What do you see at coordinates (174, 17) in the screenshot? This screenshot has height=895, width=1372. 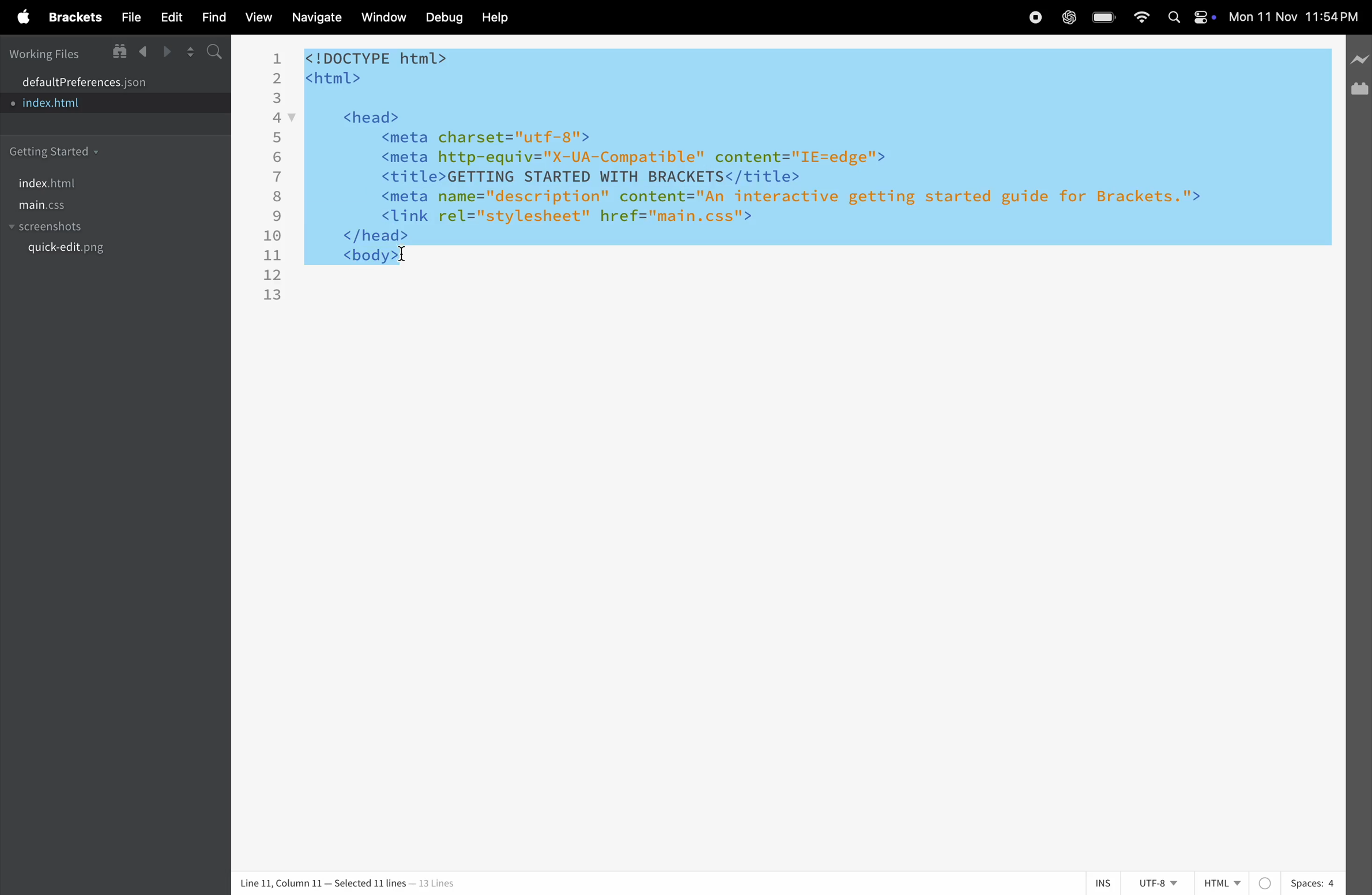 I see `edit` at bounding box center [174, 17].